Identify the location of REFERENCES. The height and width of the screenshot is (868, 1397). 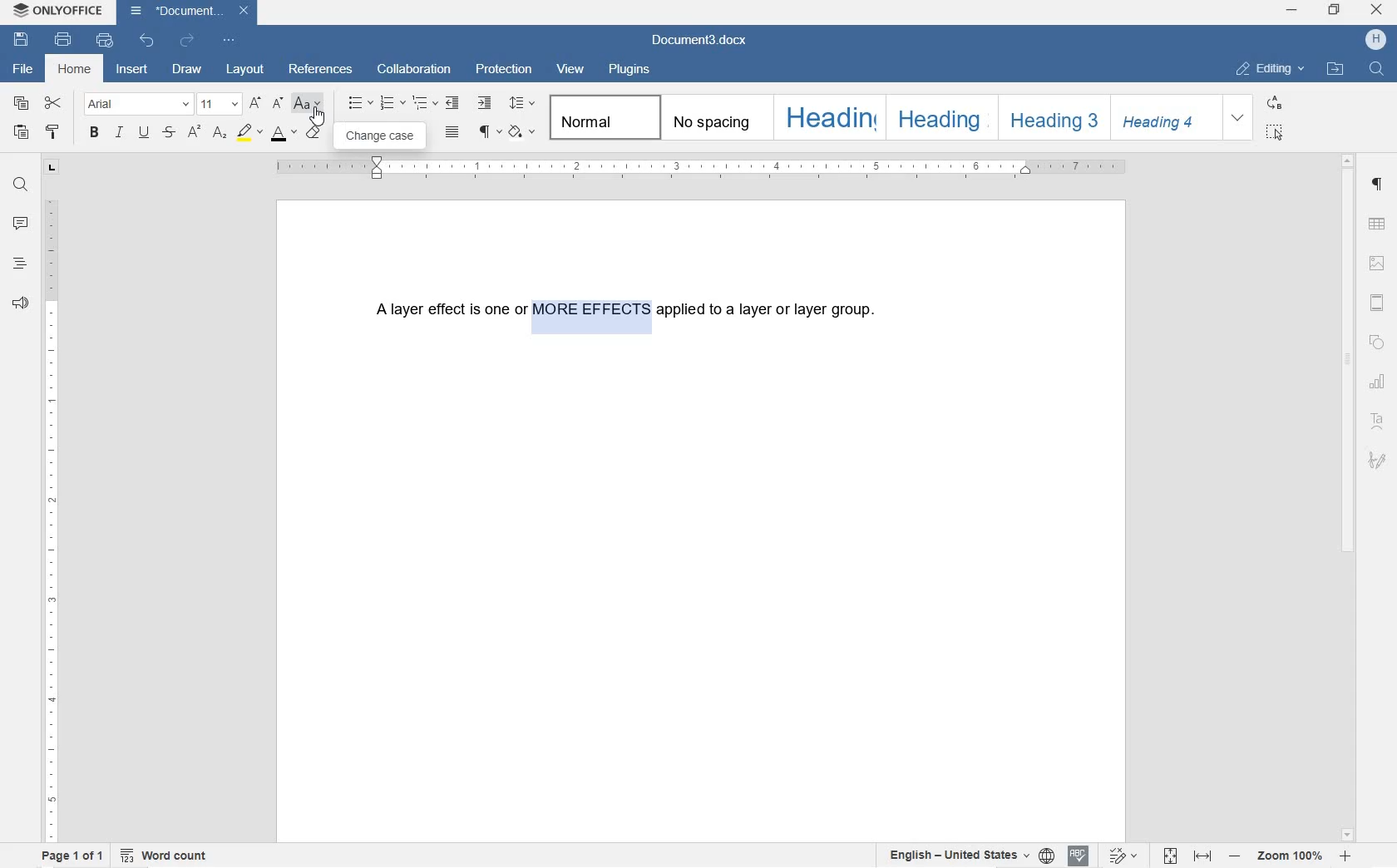
(323, 71).